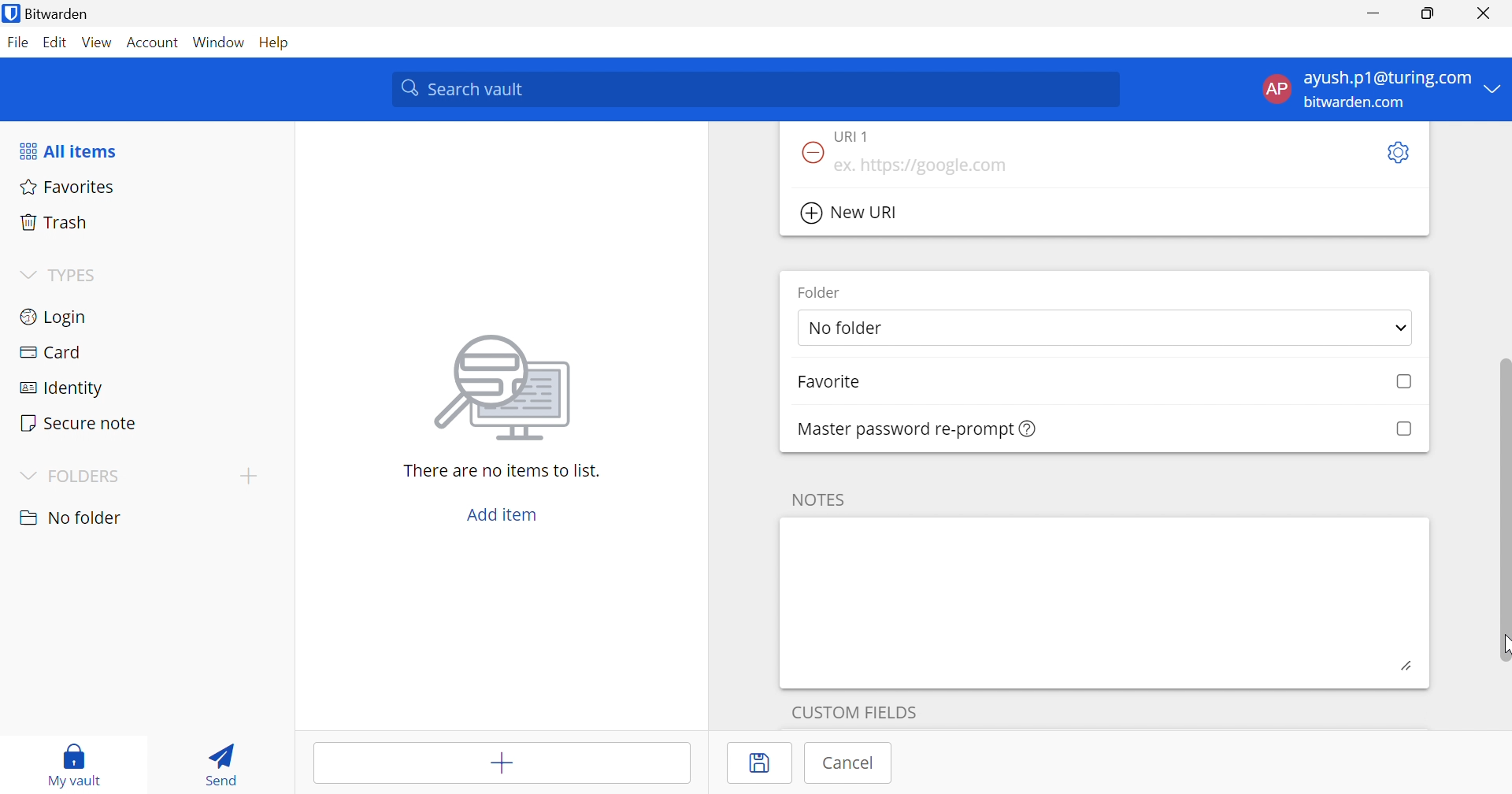 This screenshot has width=1512, height=794. I want to click on image, so click(507, 383).